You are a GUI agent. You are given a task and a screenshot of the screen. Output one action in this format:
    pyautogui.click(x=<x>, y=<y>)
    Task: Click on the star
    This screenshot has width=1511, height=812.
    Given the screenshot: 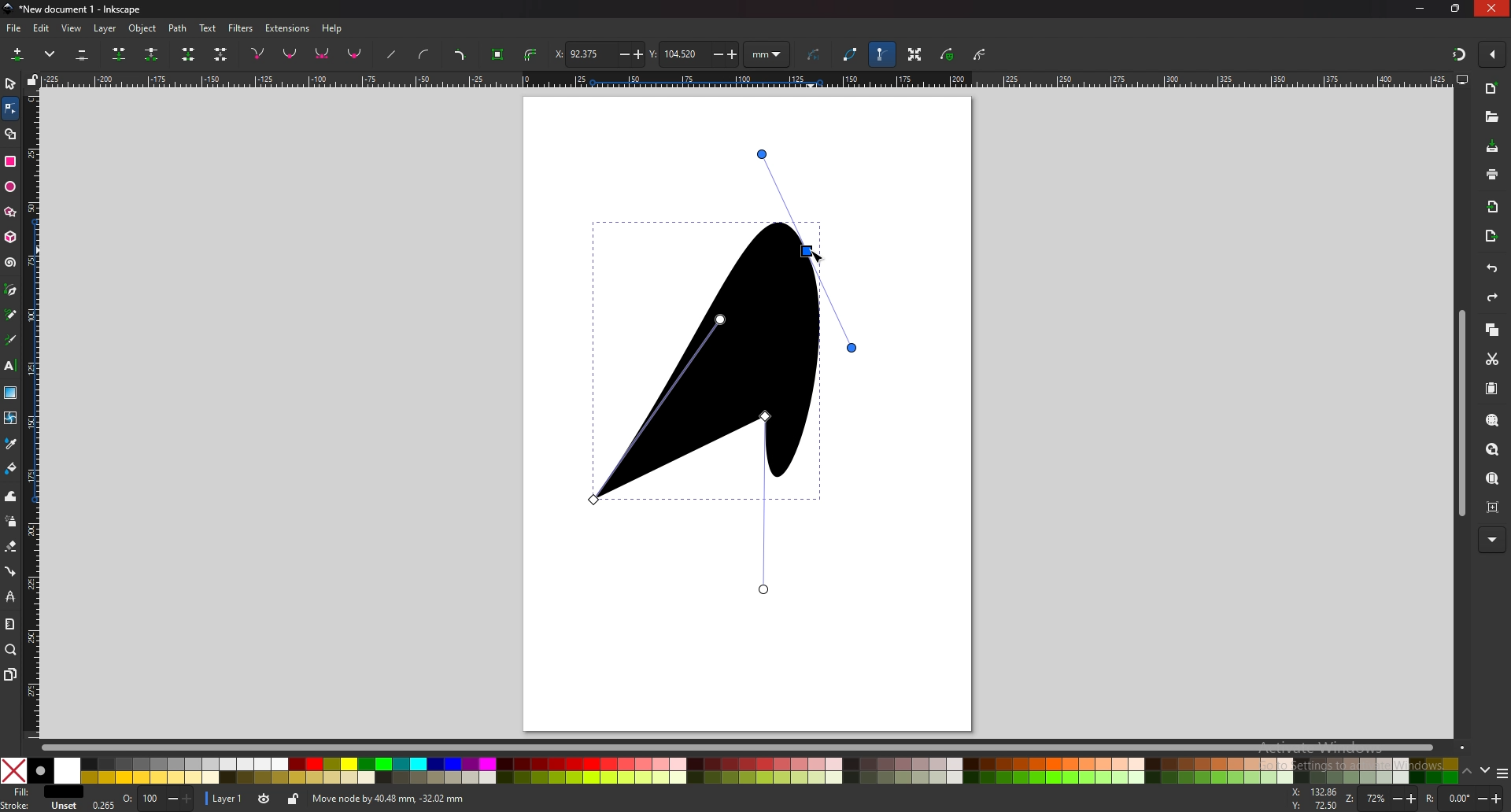 What is the action you would take?
    pyautogui.click(x=12, y=213)
    